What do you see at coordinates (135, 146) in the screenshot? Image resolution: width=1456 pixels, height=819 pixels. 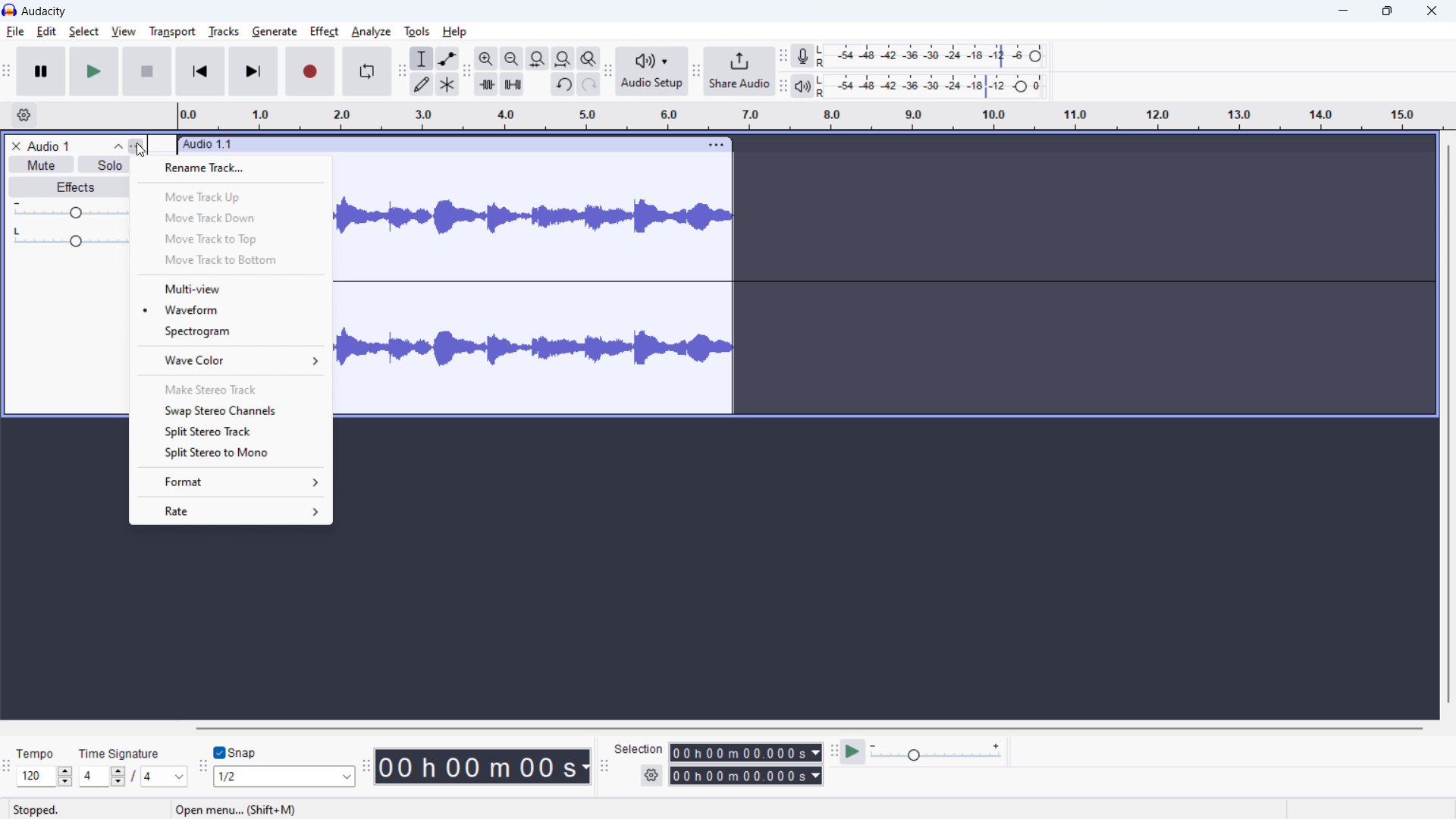 I see `track control panel menu` at bounding box center [135, 146].